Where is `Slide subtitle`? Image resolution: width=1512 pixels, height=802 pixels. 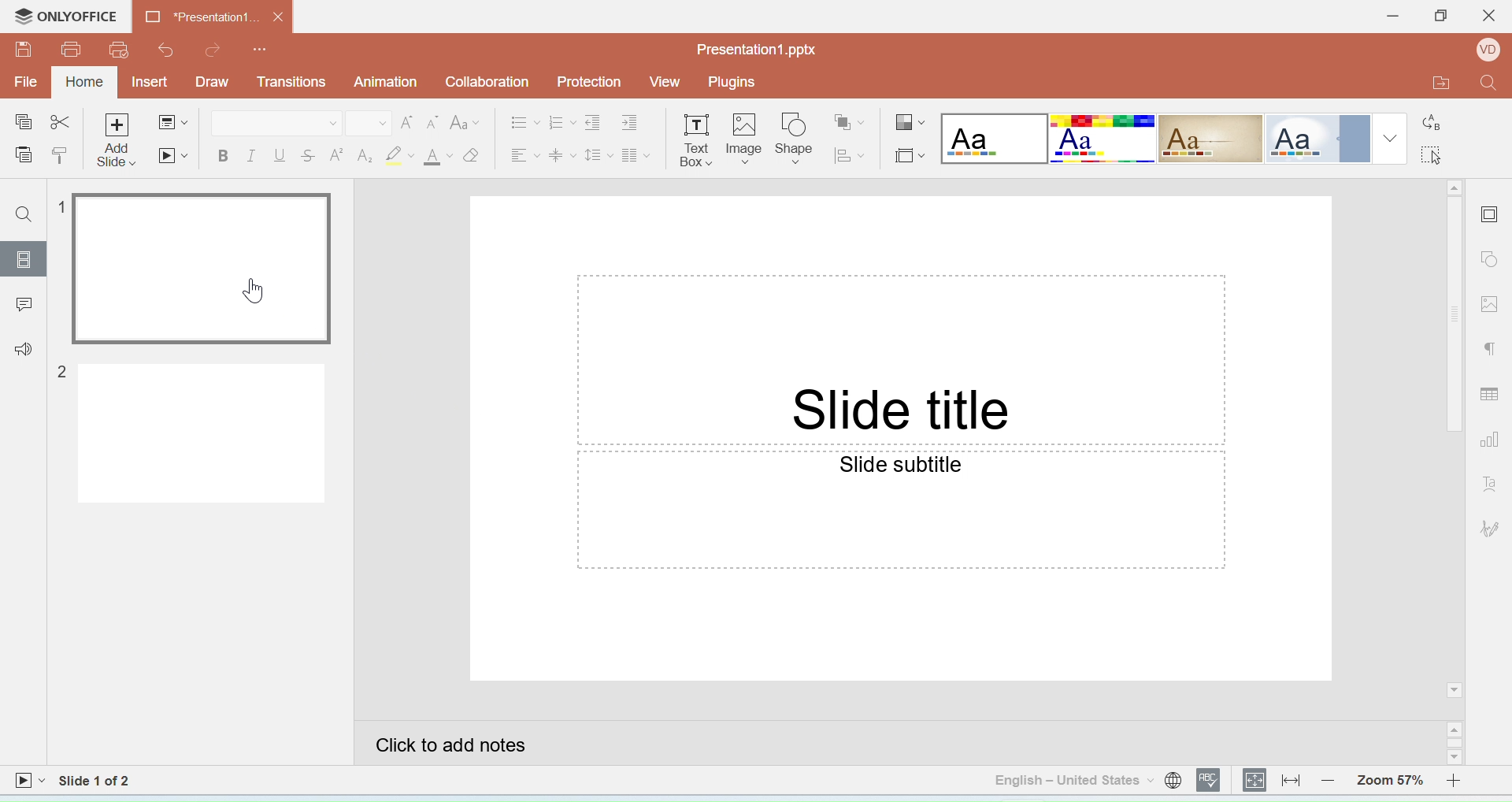 Slide subtitle is located at coordinates (902, 463).